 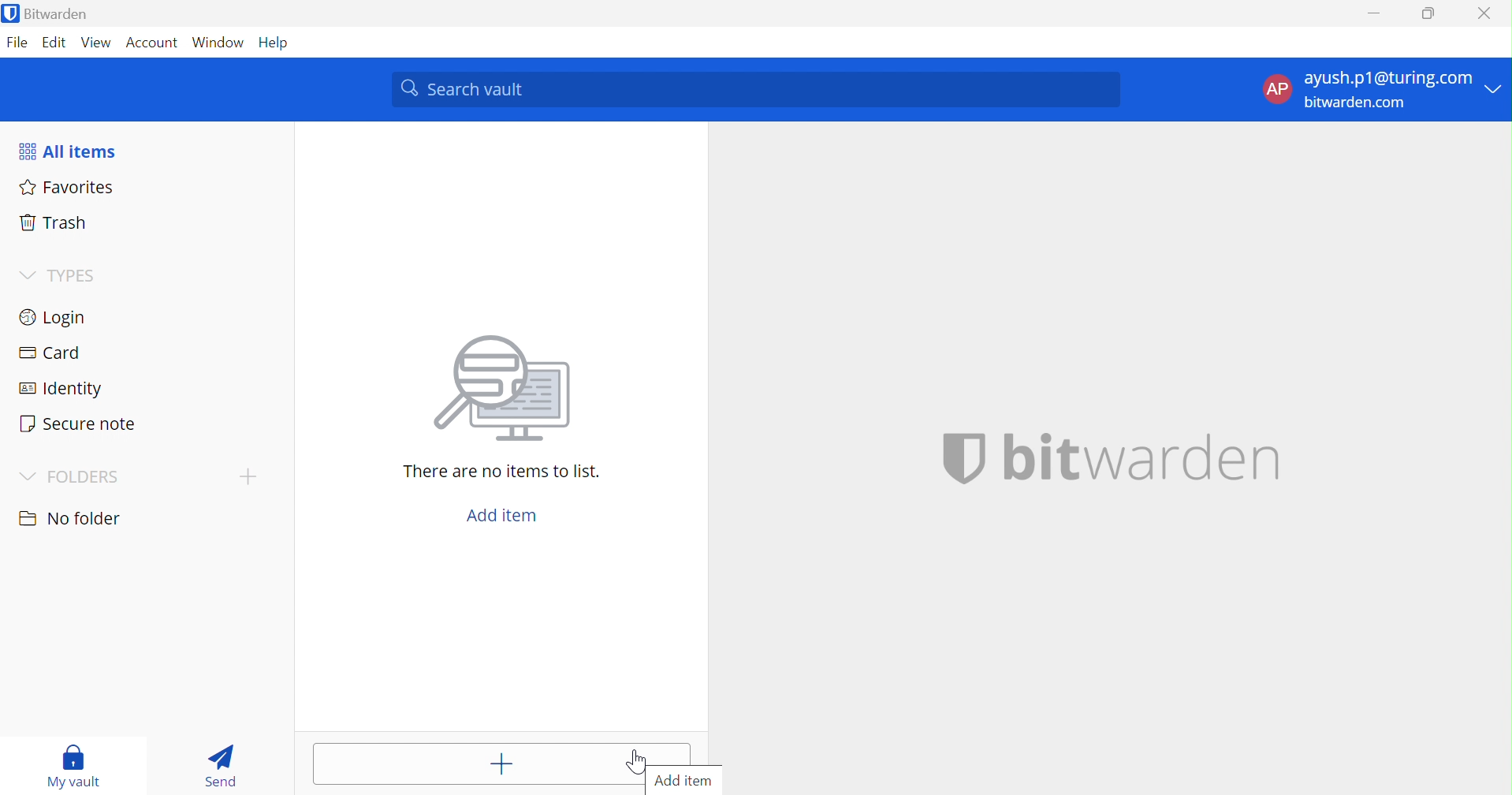 I want to click on Bitwarden, so click(x=58, y=15).